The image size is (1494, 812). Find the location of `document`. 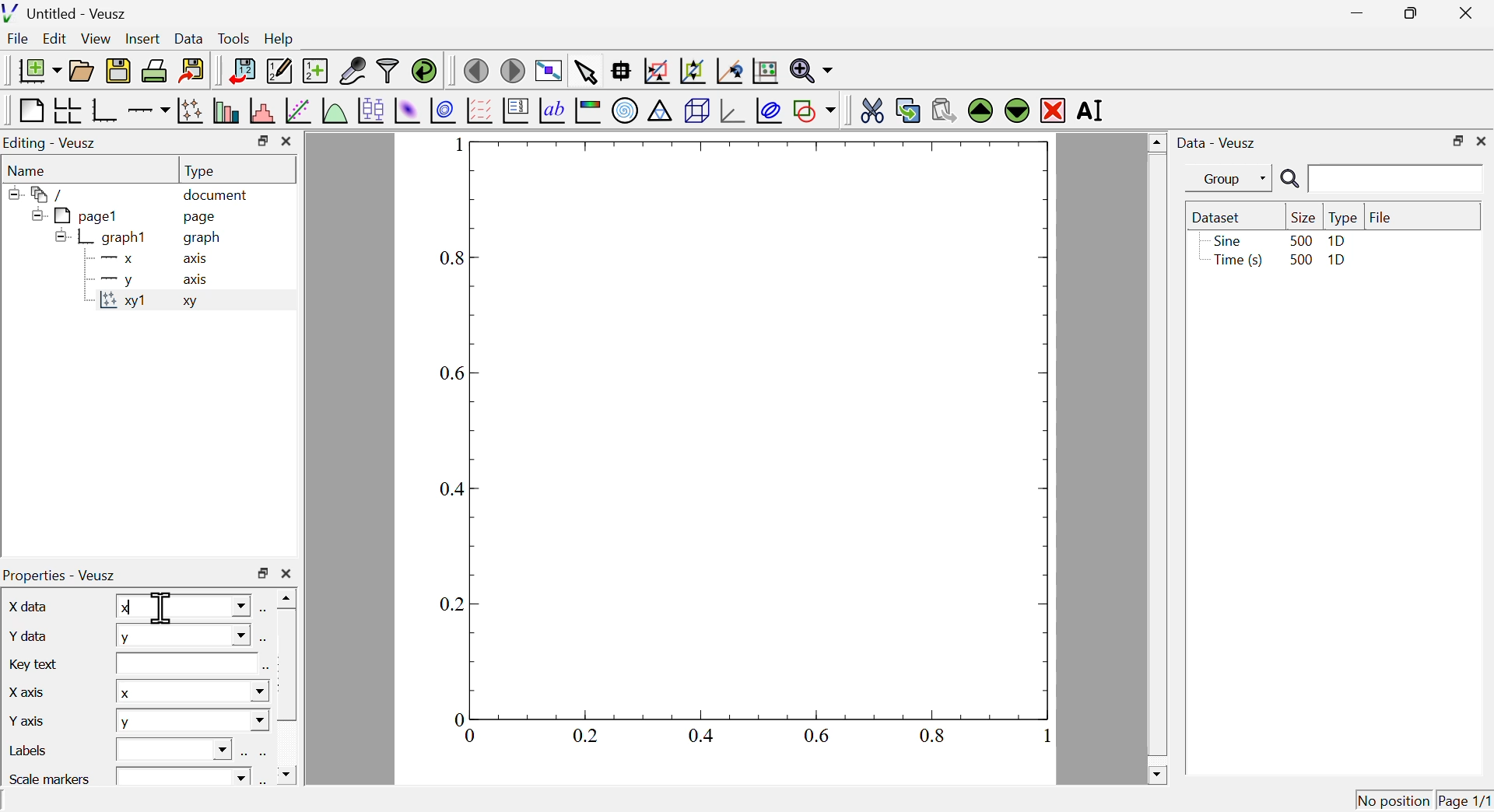

document is located at coordinates (217, 196).